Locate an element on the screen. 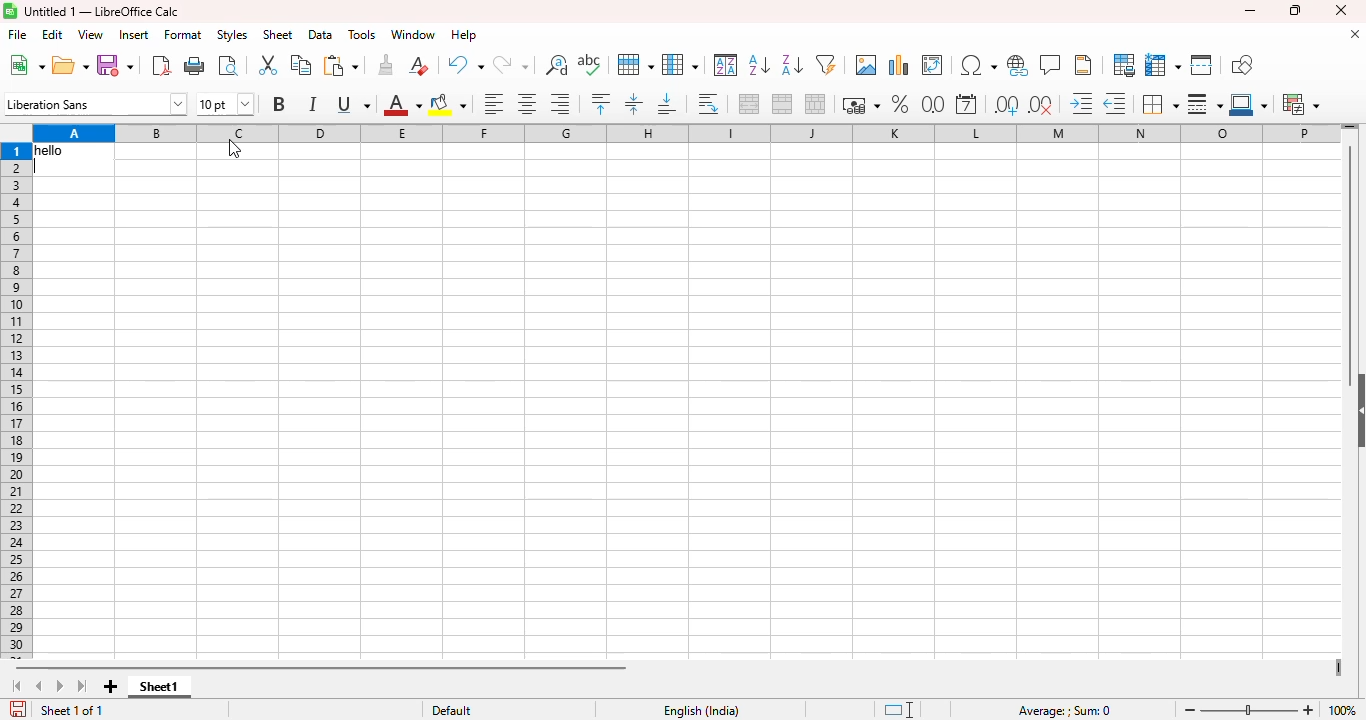 The image size is (1366, 720). zoom out is located at coordinates (1190, 709).